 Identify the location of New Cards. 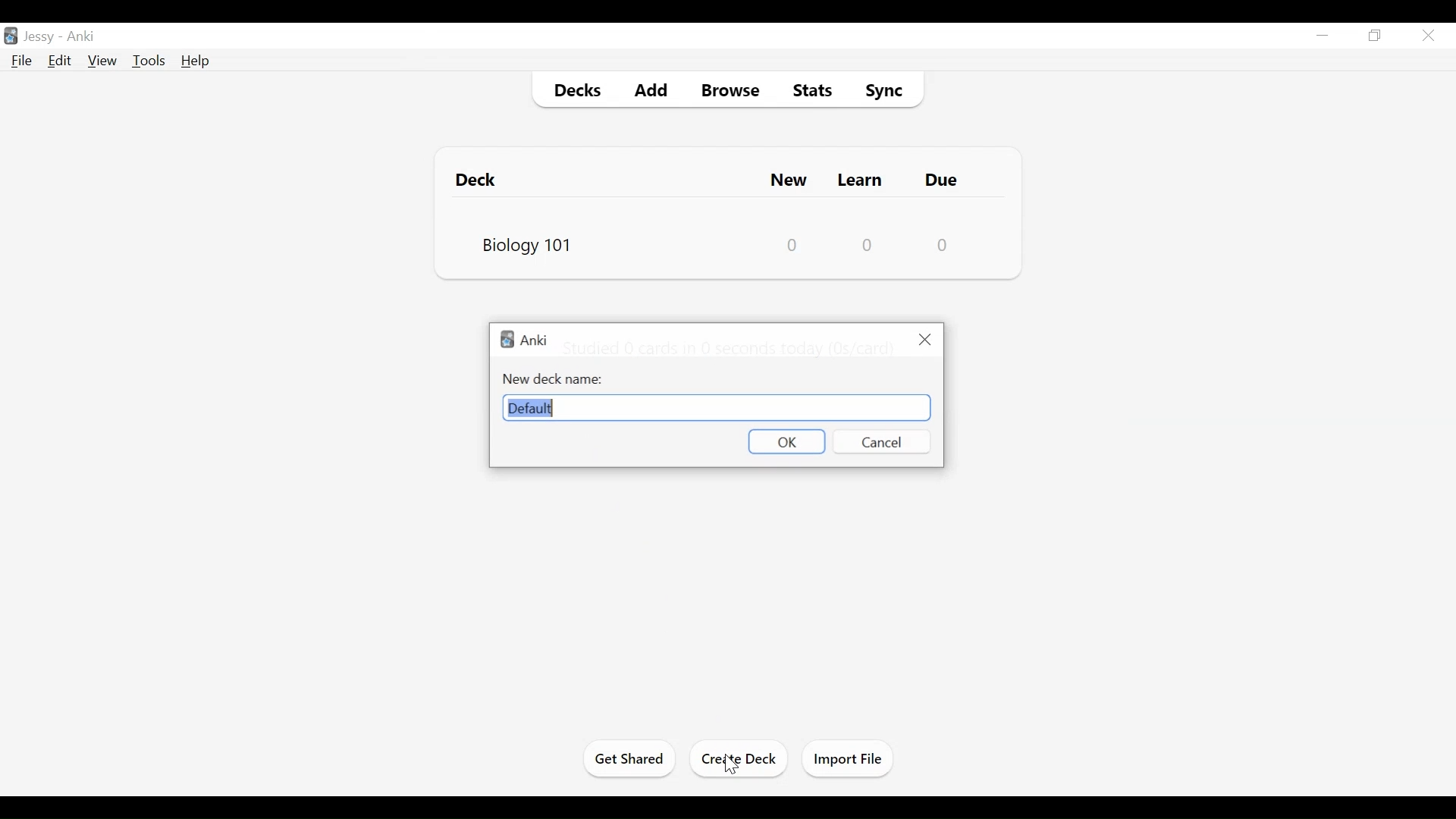
(790, 179).